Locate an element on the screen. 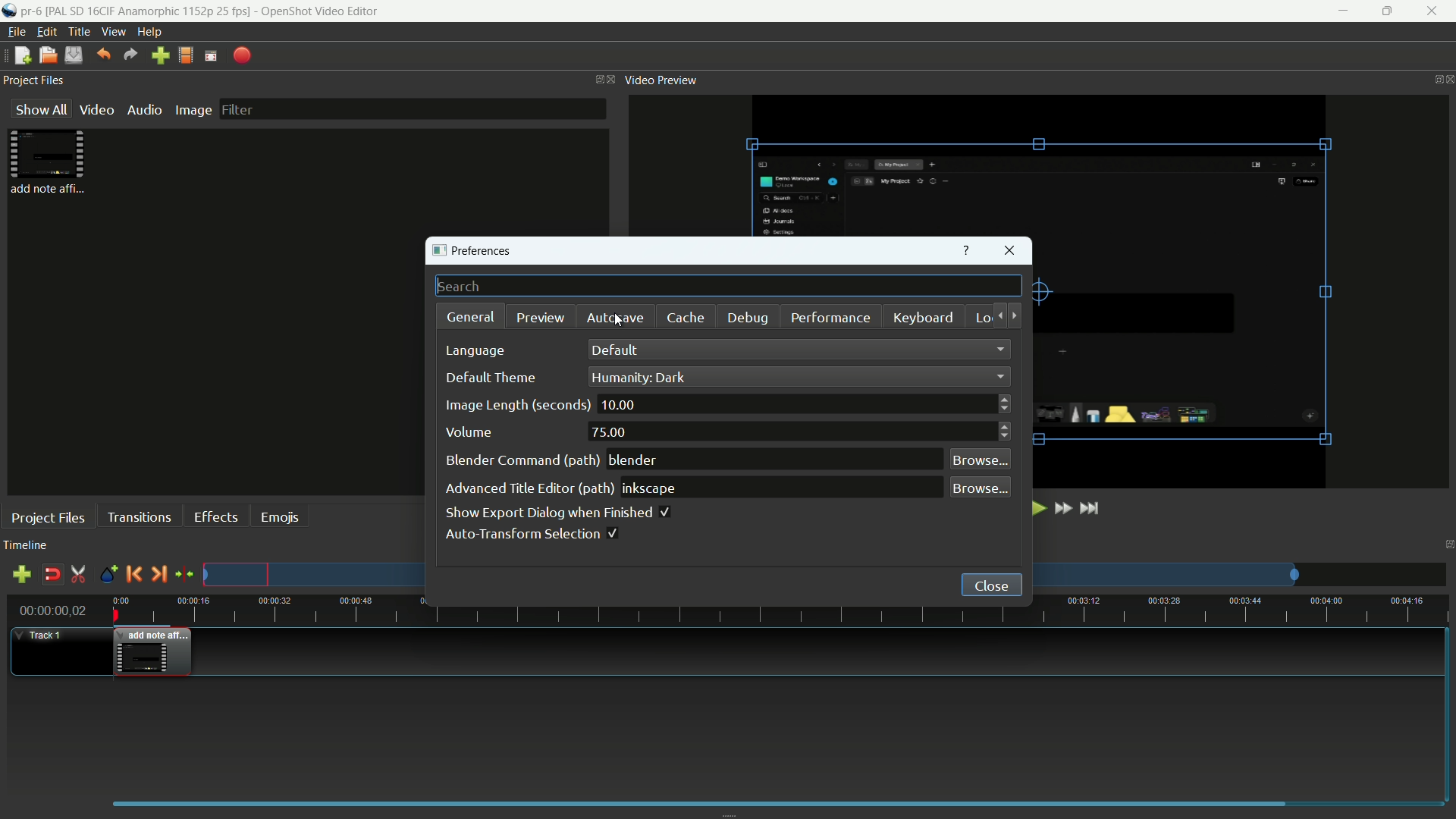 The height and width of the screenshot is (819, 1456). app icon is located at coordinates (9, 12).